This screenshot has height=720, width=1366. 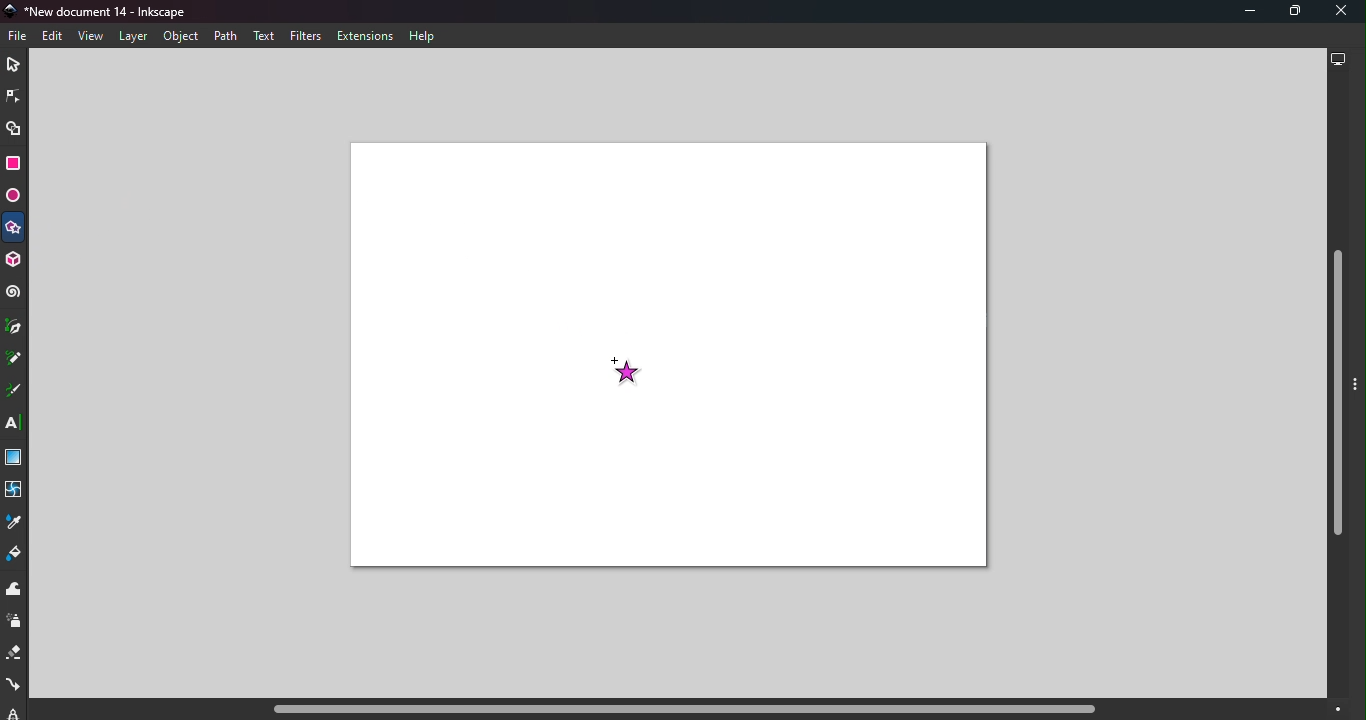 I want to click on Display options, so click(x=1338, y=62).